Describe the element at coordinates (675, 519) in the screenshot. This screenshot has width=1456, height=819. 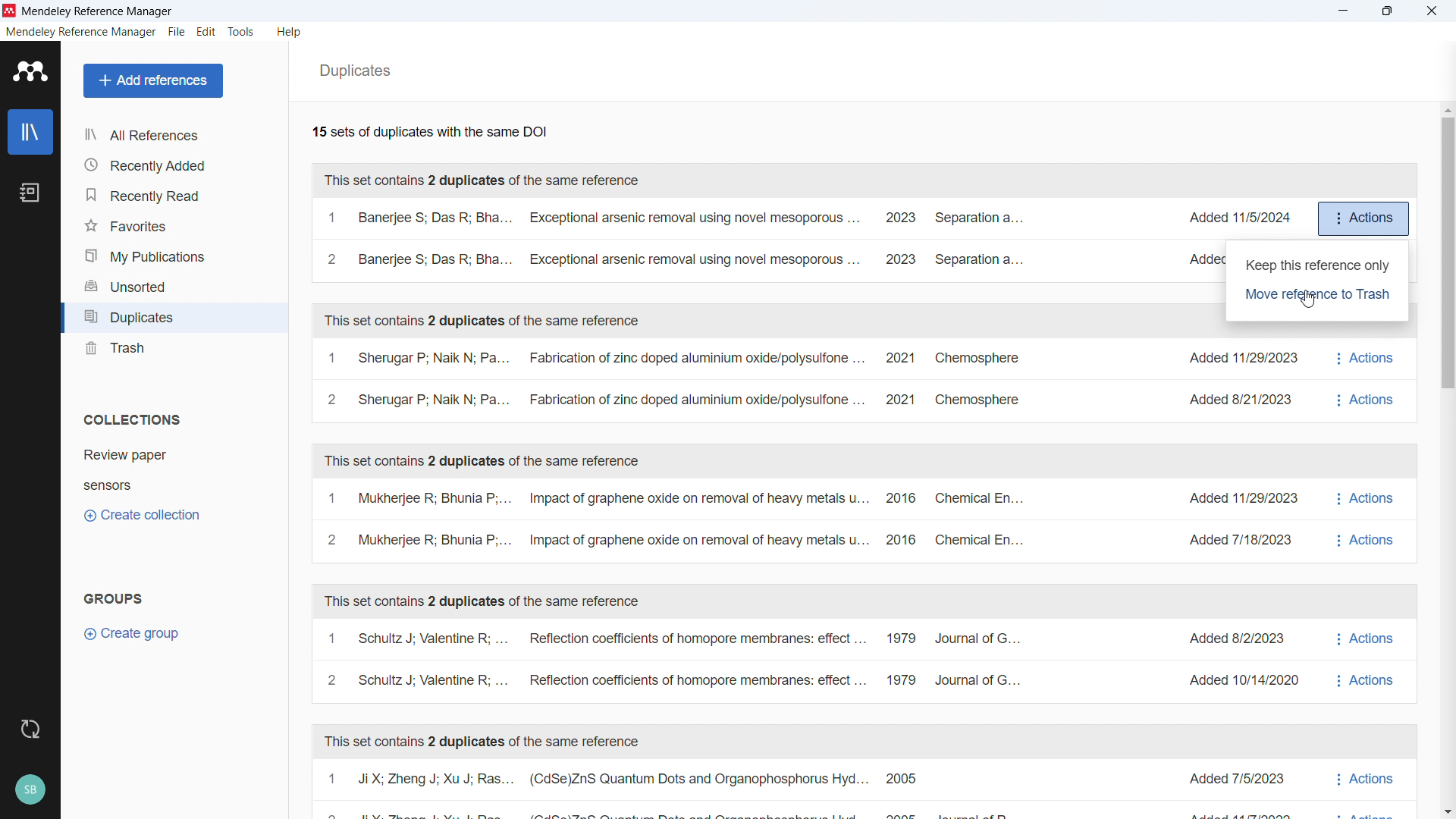
I see `Set of duplicates ` at that location.